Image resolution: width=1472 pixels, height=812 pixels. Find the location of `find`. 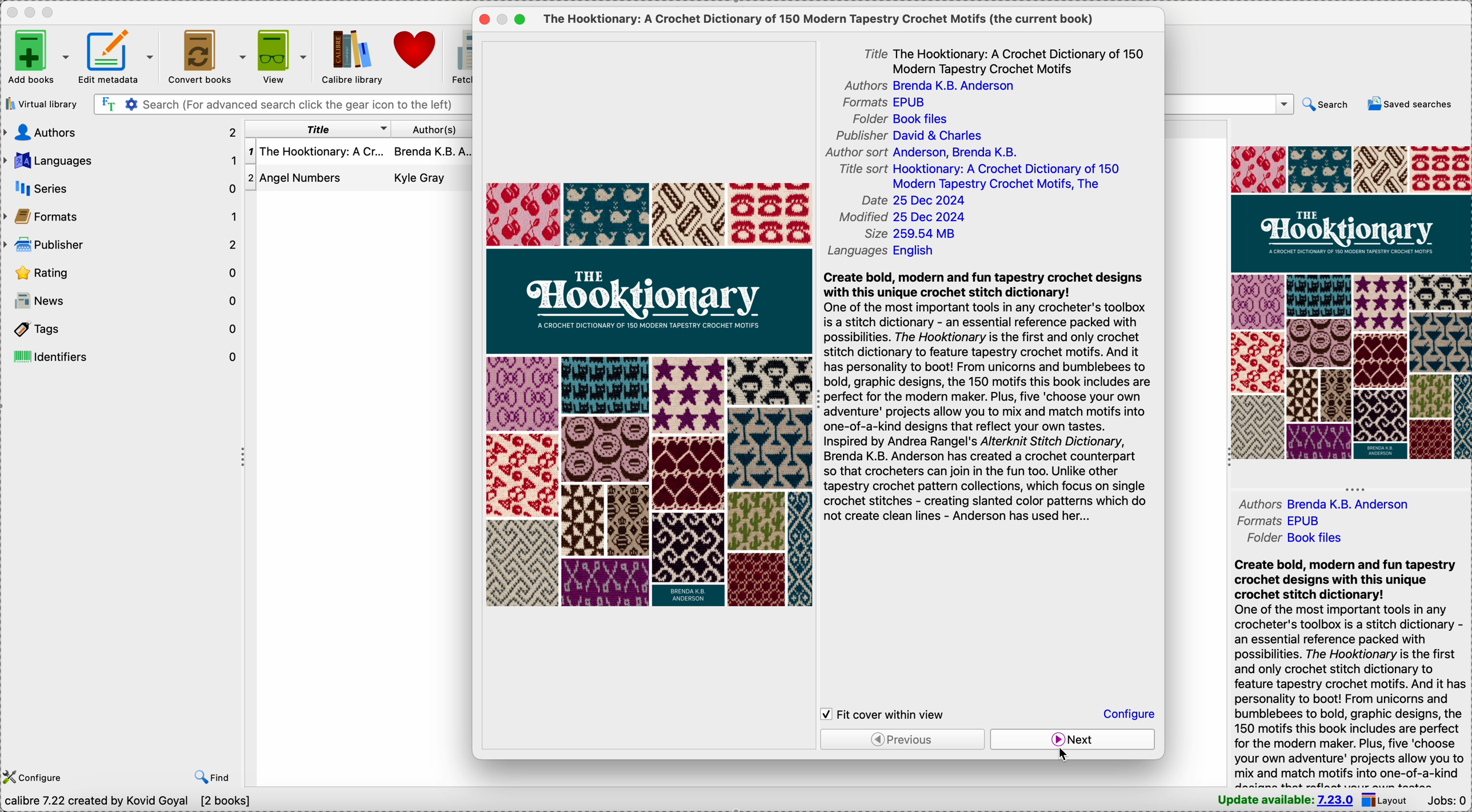

find is located at coordinates (211, 778).